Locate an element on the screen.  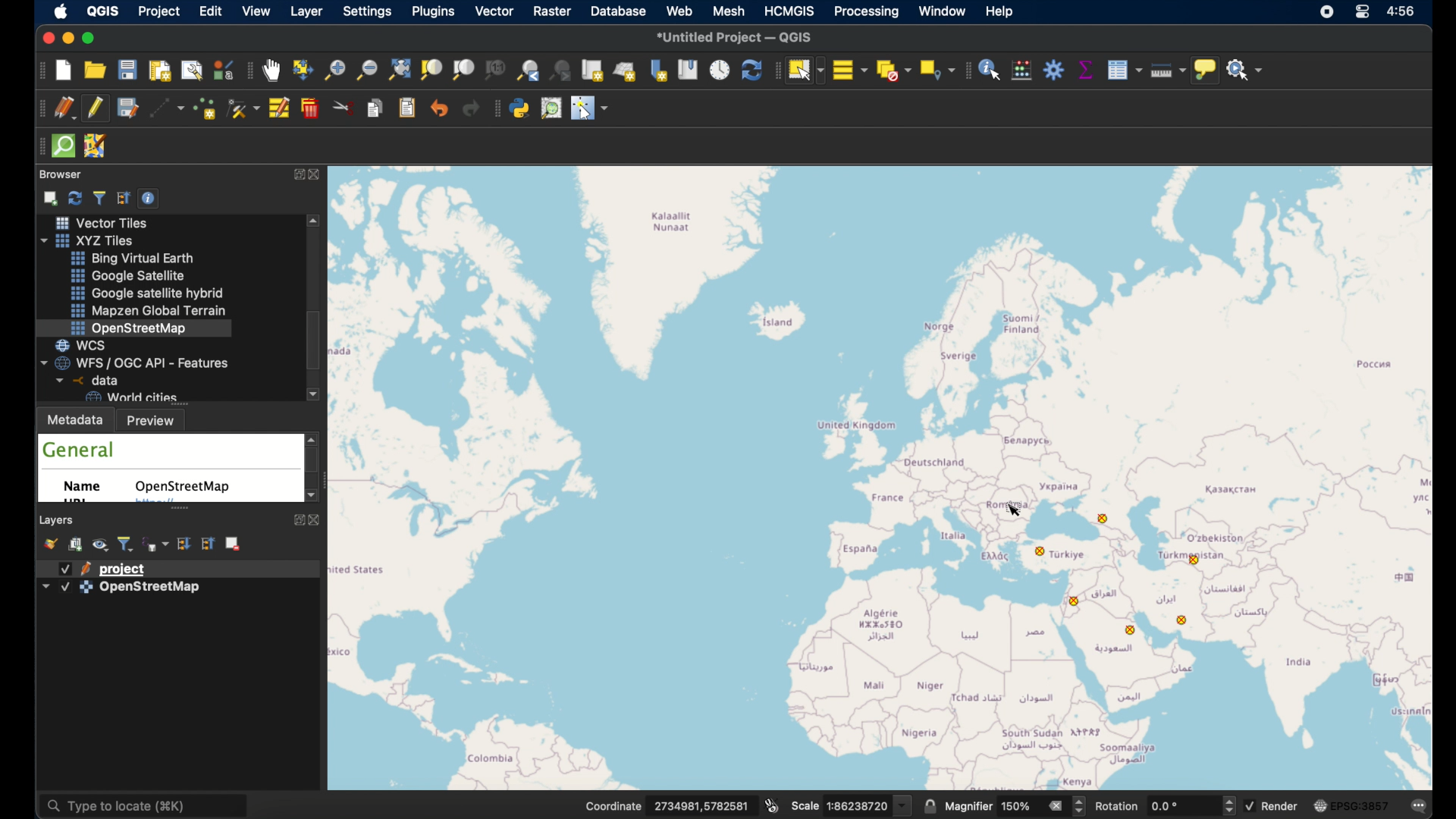
checkbox is located at coordinates (65, 569).